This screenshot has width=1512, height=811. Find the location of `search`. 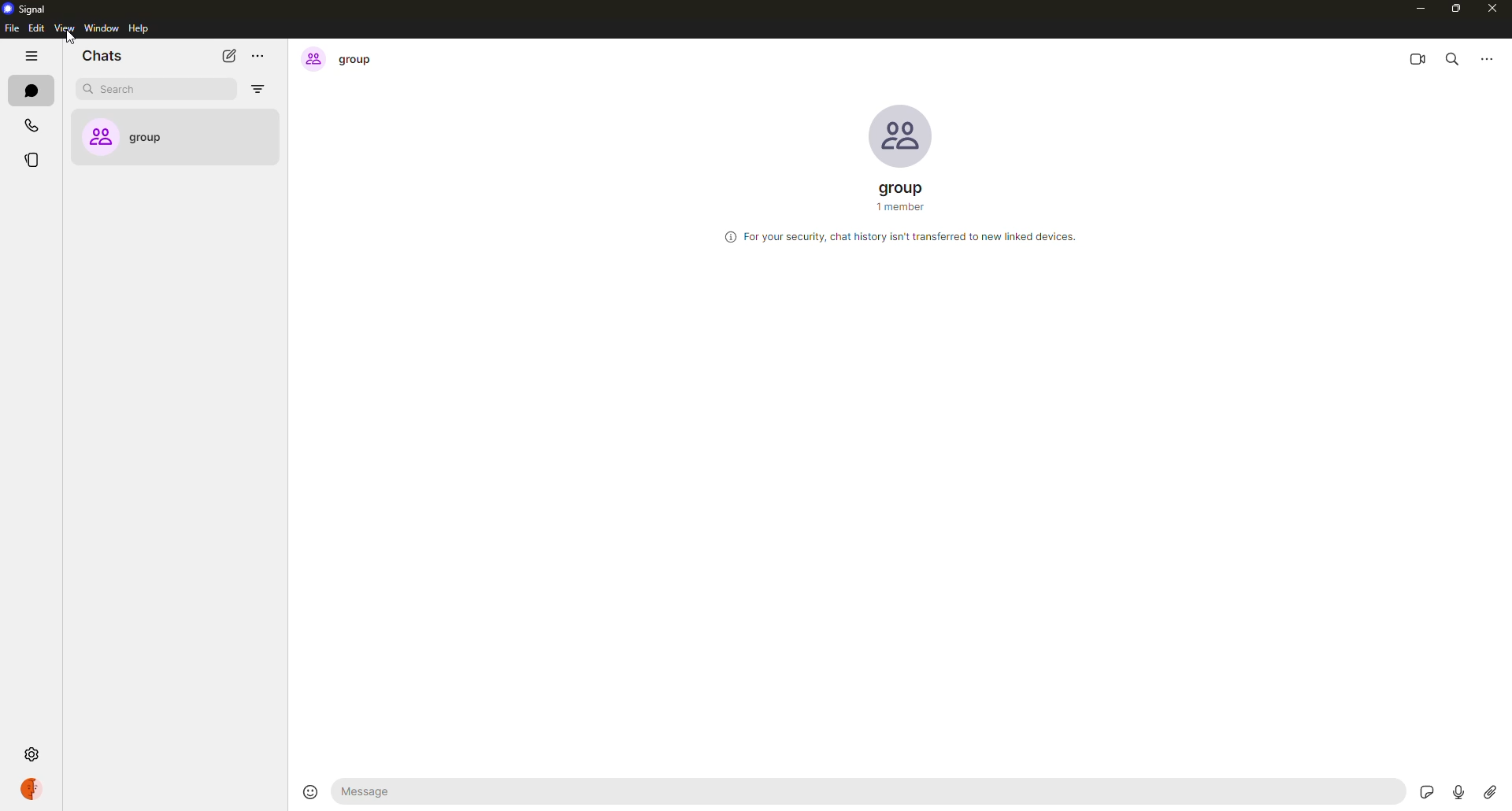

search is located at coordinates (124, 91).